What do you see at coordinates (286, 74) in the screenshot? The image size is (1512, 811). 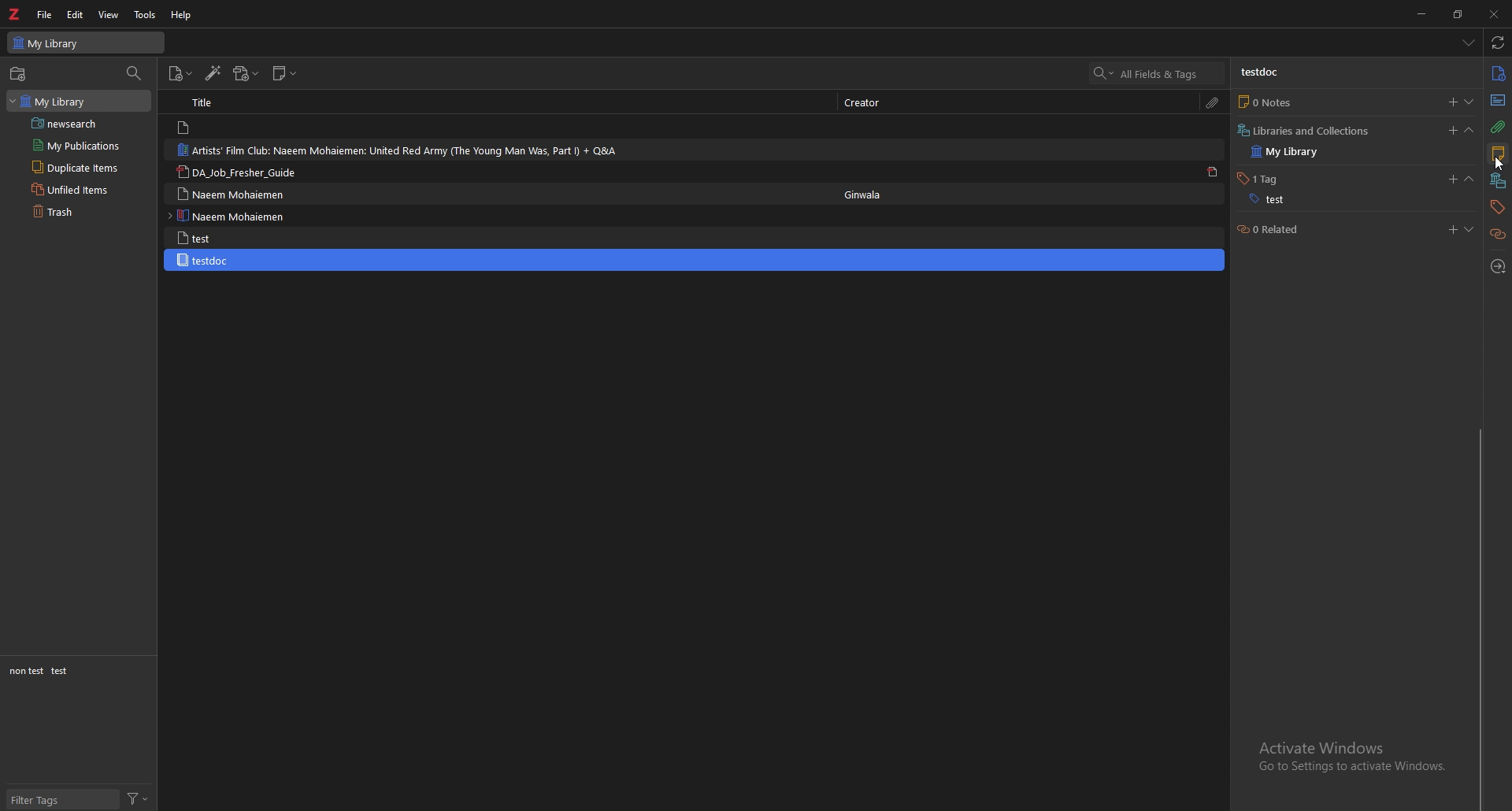 I see `new note` at bounding box center [286, 74].